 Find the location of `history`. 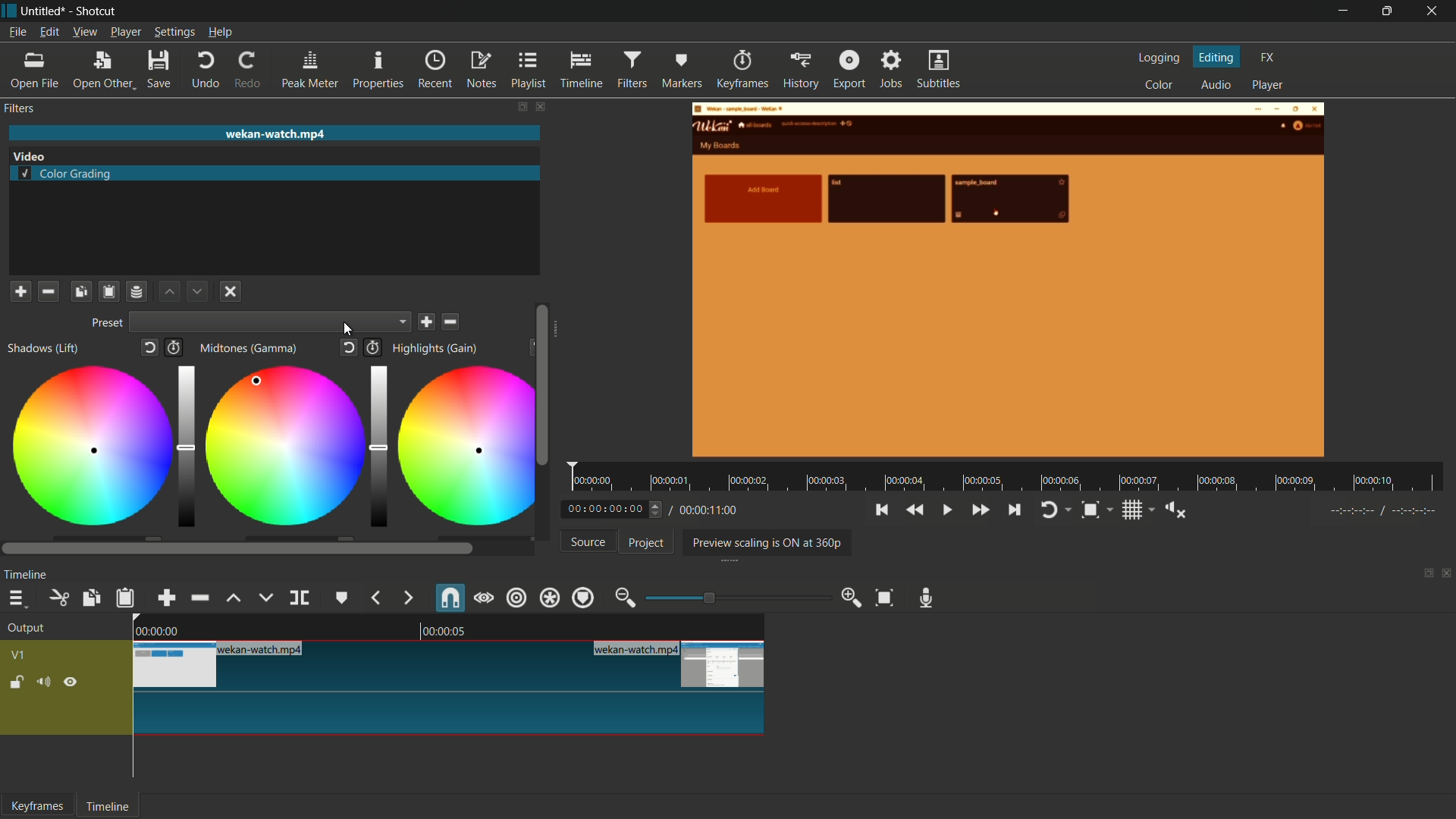

history is located at coordinates (799, 71).